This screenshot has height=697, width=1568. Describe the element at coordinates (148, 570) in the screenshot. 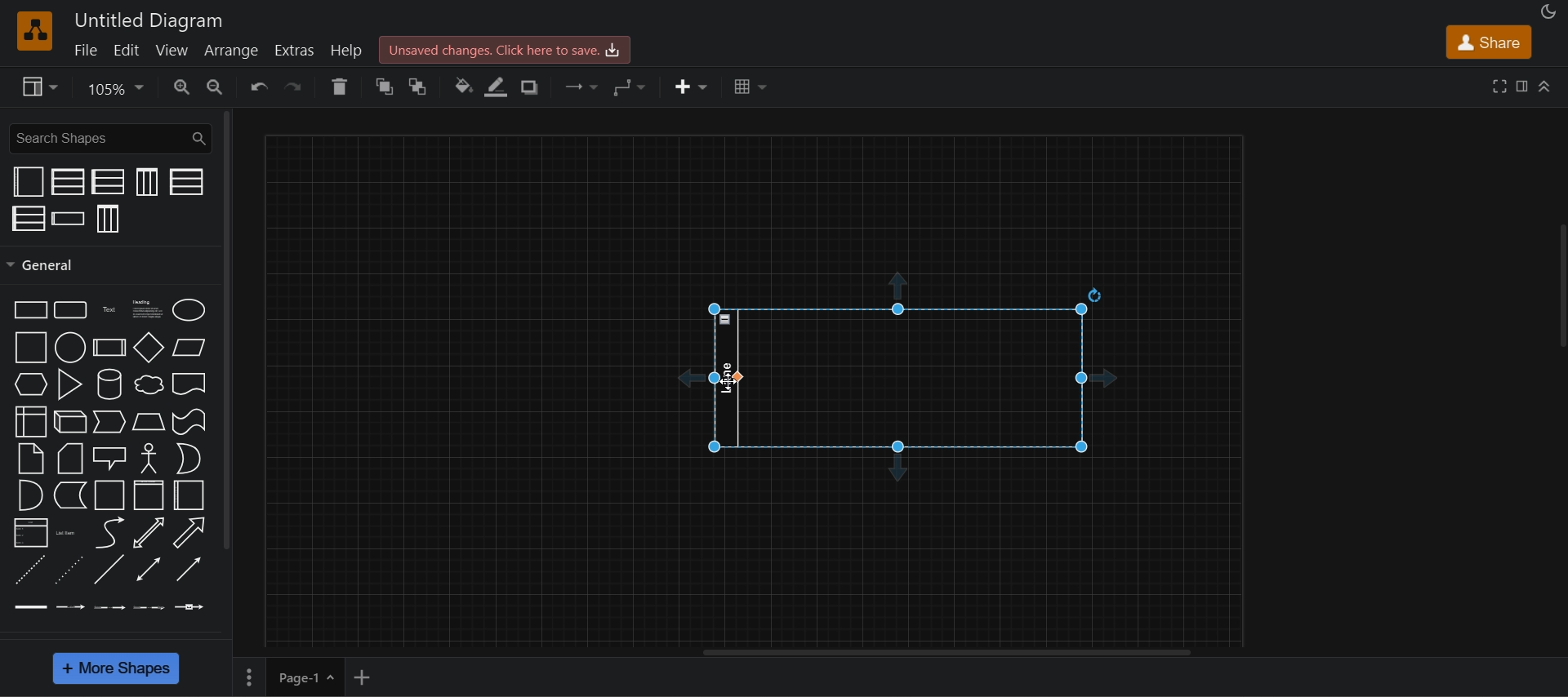

I see `bidirectional connector` at that location.